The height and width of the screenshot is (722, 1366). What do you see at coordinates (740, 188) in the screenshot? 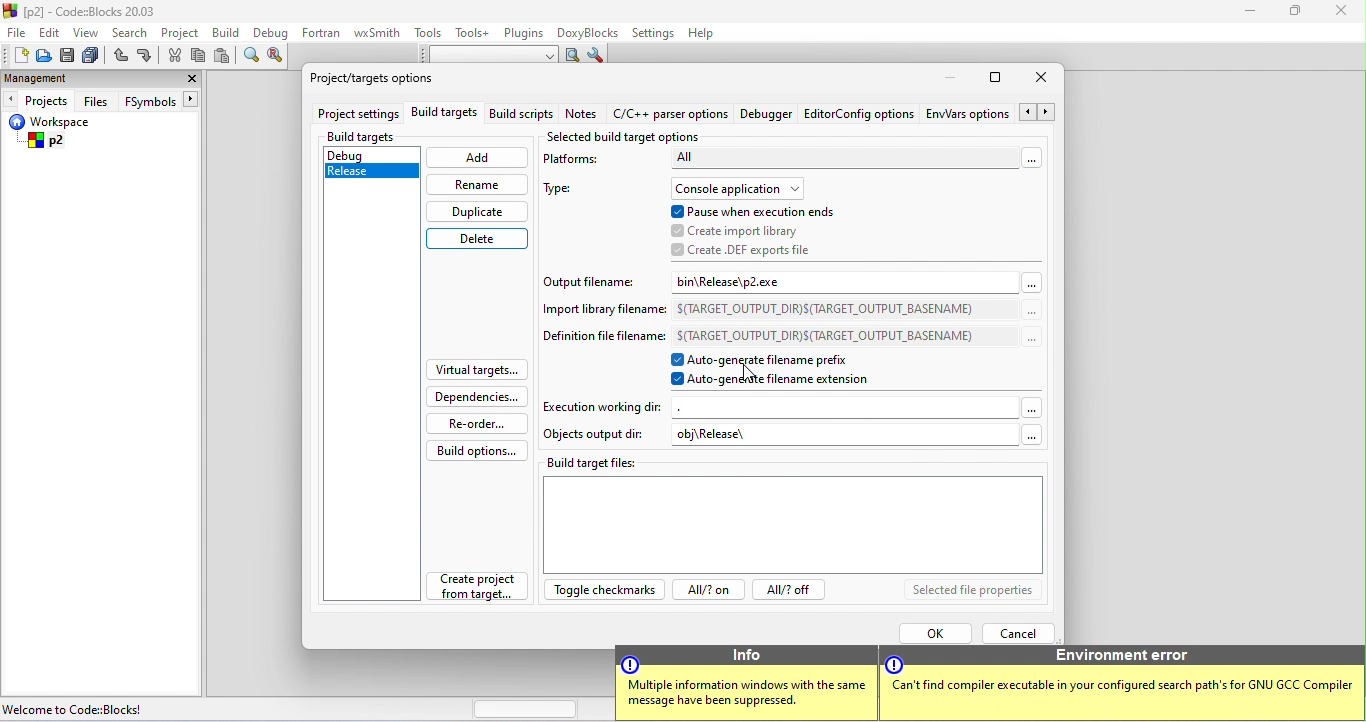
I see `Console application` at bounding box center [740, 188].